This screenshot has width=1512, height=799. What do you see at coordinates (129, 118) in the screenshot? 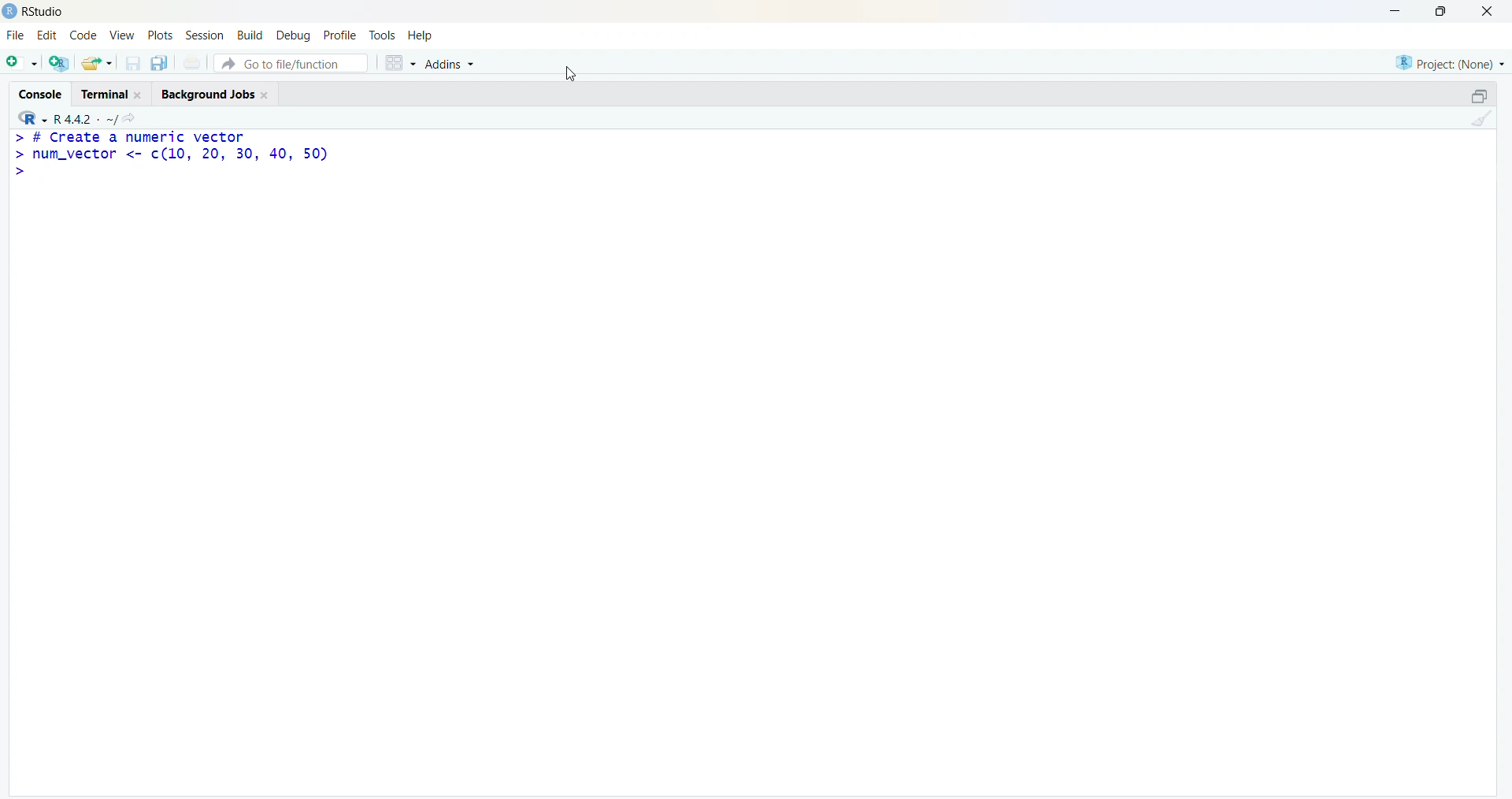
I see `share icon` at bounding box center [129, 118].